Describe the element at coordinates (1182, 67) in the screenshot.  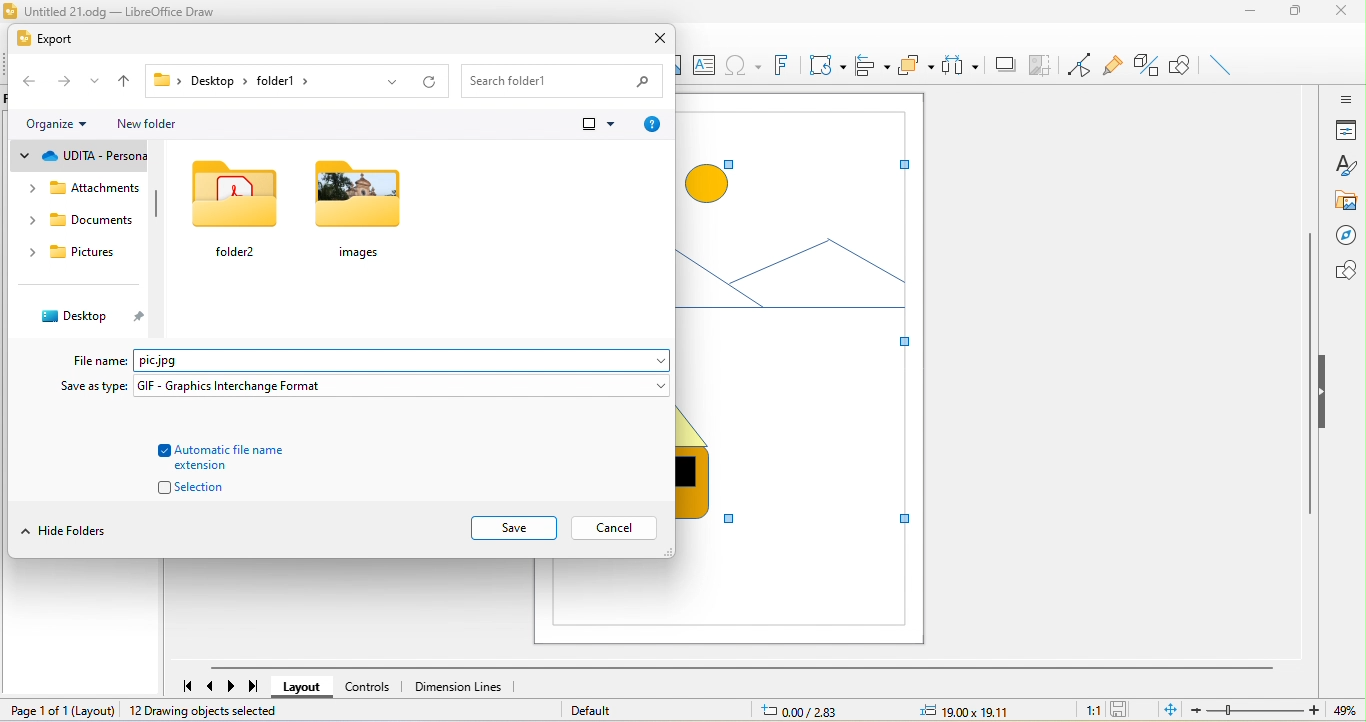
I see `show draw functions` at that location.